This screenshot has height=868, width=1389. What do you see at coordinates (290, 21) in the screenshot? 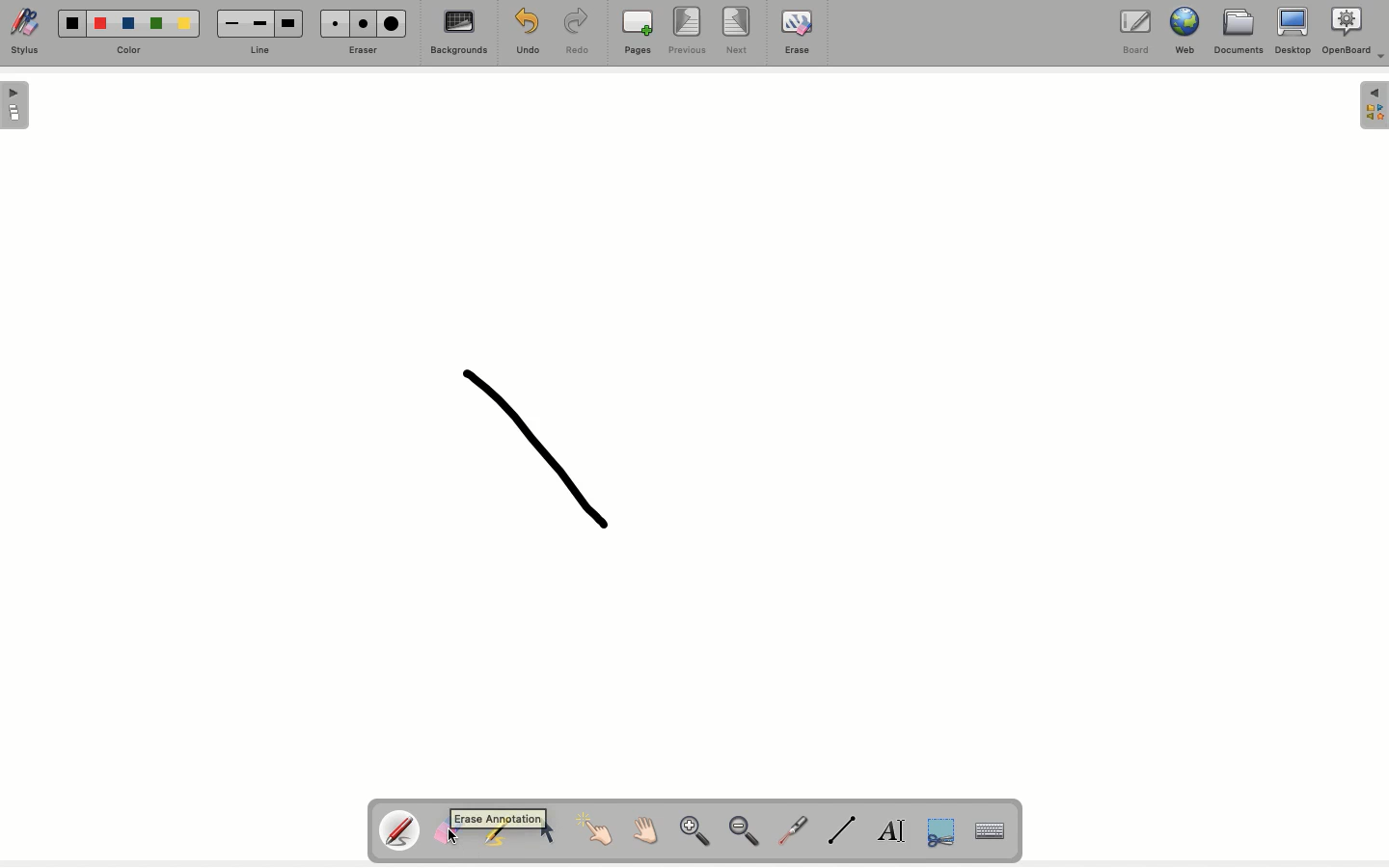
I see `Large` at bounding box center [290, 21].